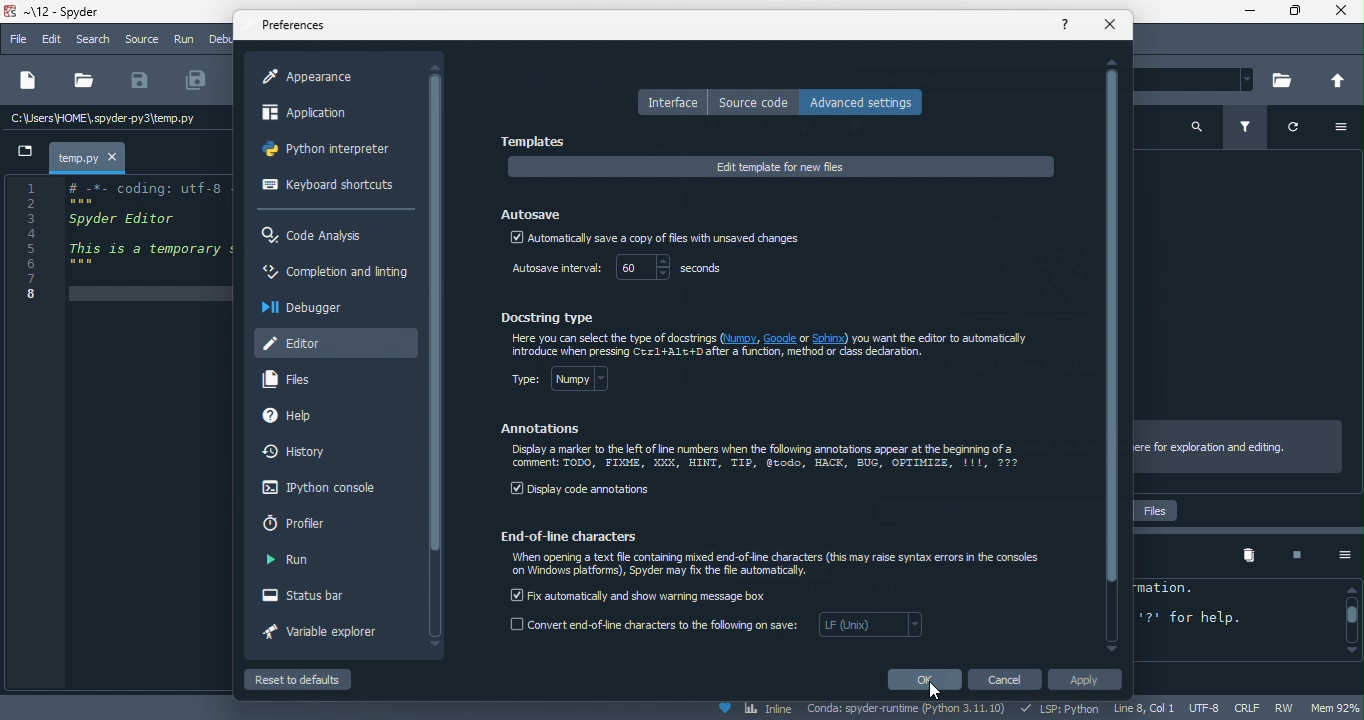 The height and width of the screenshot is (720, 1364). What do you see at coordinates (1250, 708) in the screenshot?
I see `crlf` at bounding box center [1250, 708].